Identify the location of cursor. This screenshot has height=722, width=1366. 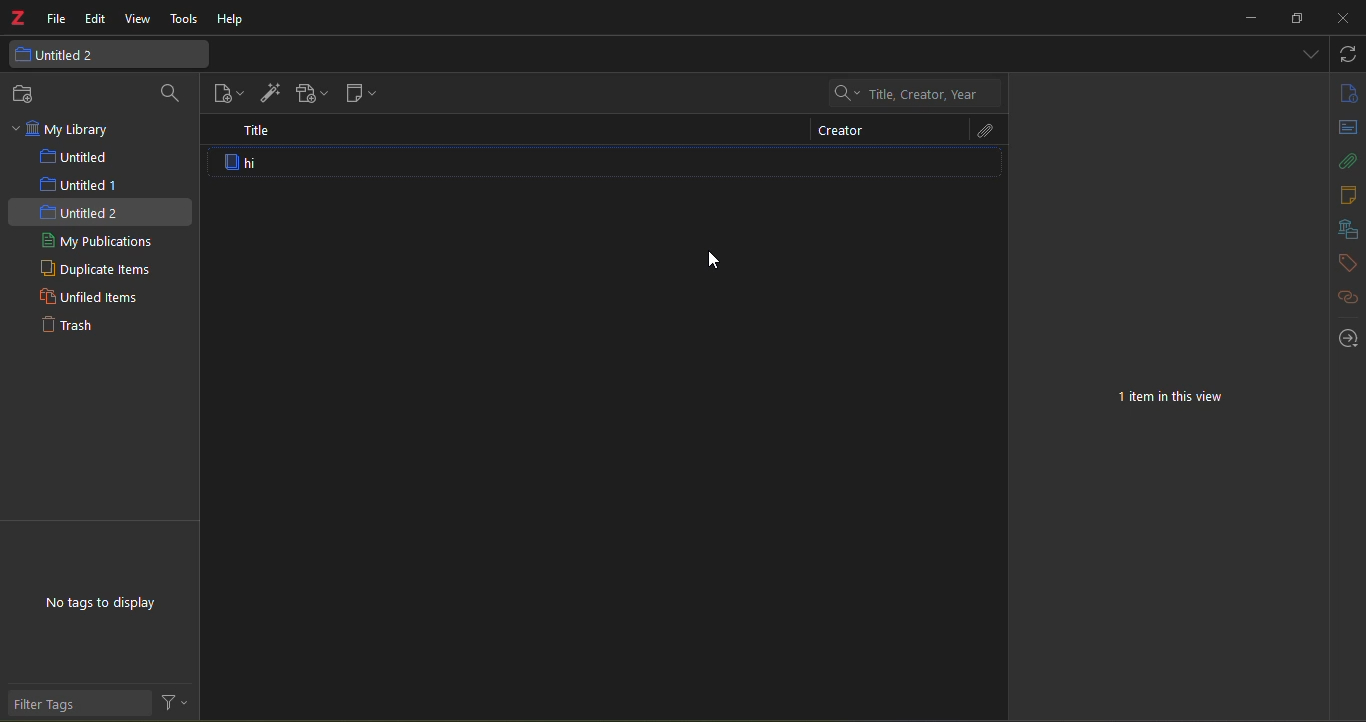
(712, 260).